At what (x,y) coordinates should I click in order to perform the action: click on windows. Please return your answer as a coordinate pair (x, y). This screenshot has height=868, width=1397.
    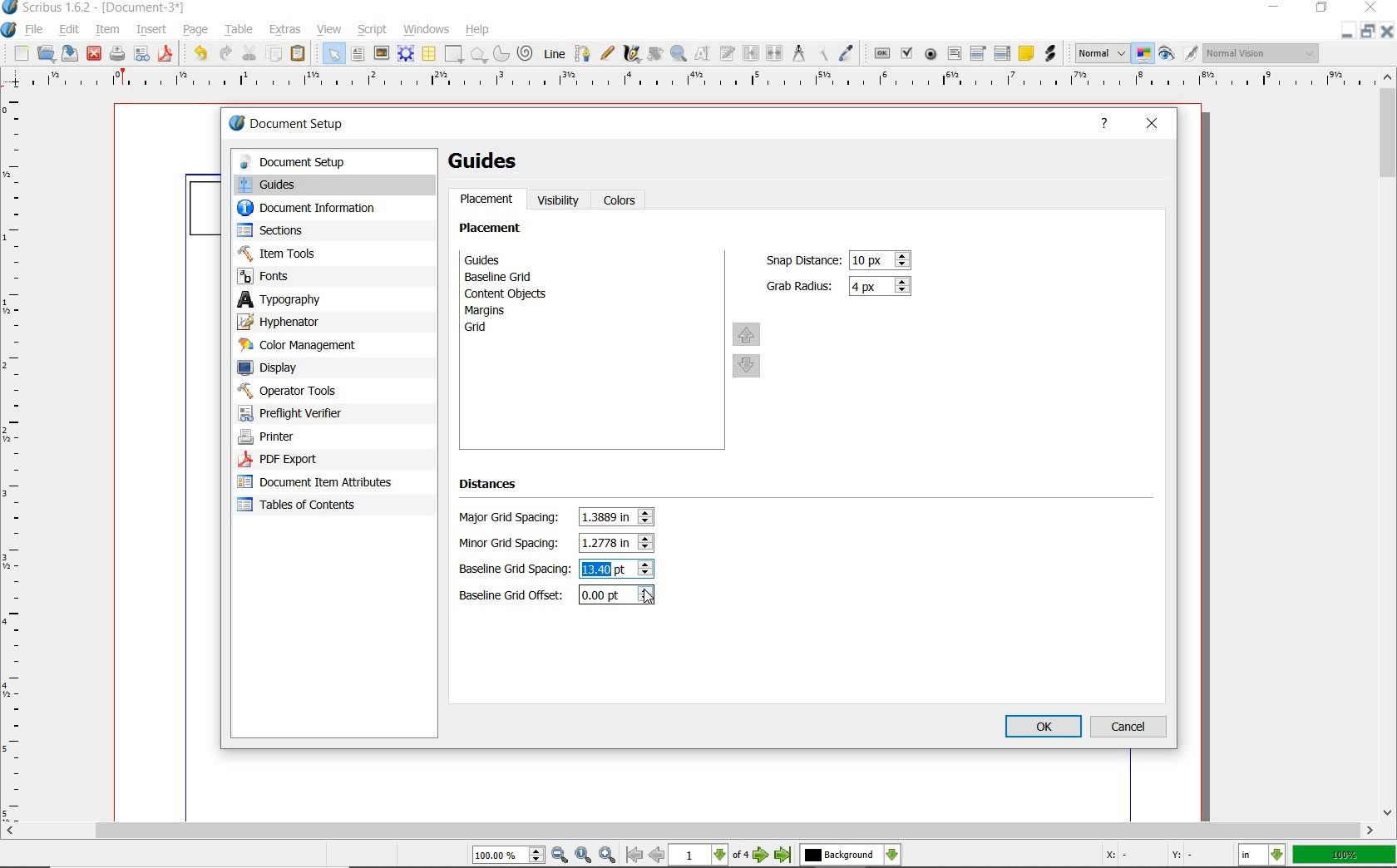
    Looking at the image, I should click on (427, 28).